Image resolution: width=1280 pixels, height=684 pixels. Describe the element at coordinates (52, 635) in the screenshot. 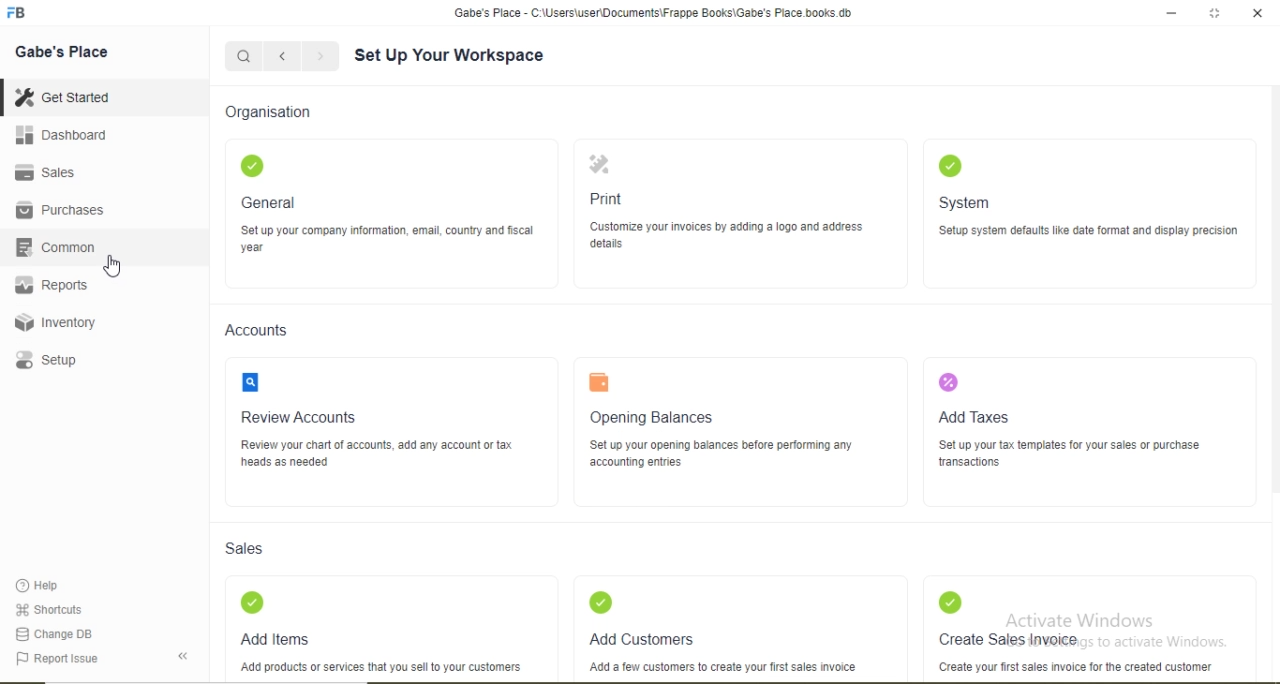

I see `Change DB` at that location.